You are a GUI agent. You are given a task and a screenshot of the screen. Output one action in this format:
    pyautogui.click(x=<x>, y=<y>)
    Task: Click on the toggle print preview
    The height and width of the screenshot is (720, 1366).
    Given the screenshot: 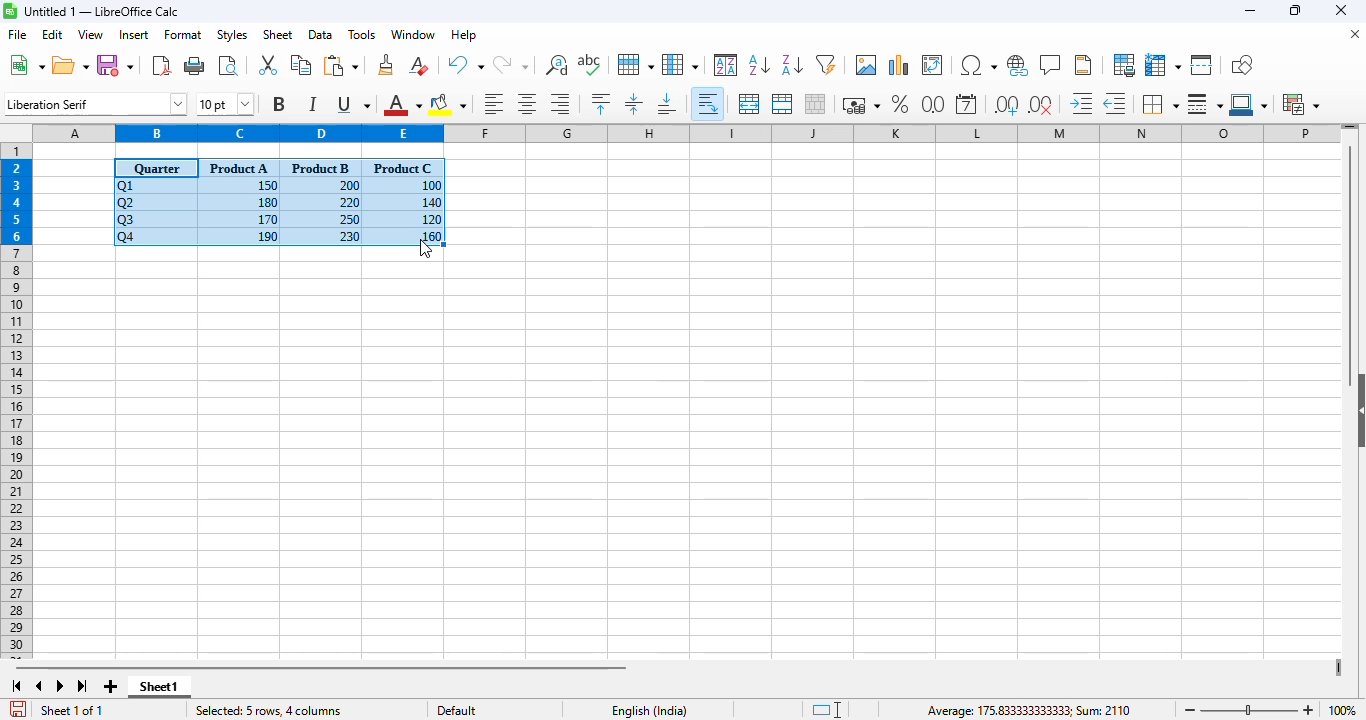 What is the action you would take?
    pyautogui.click(x=228, y=66)
    